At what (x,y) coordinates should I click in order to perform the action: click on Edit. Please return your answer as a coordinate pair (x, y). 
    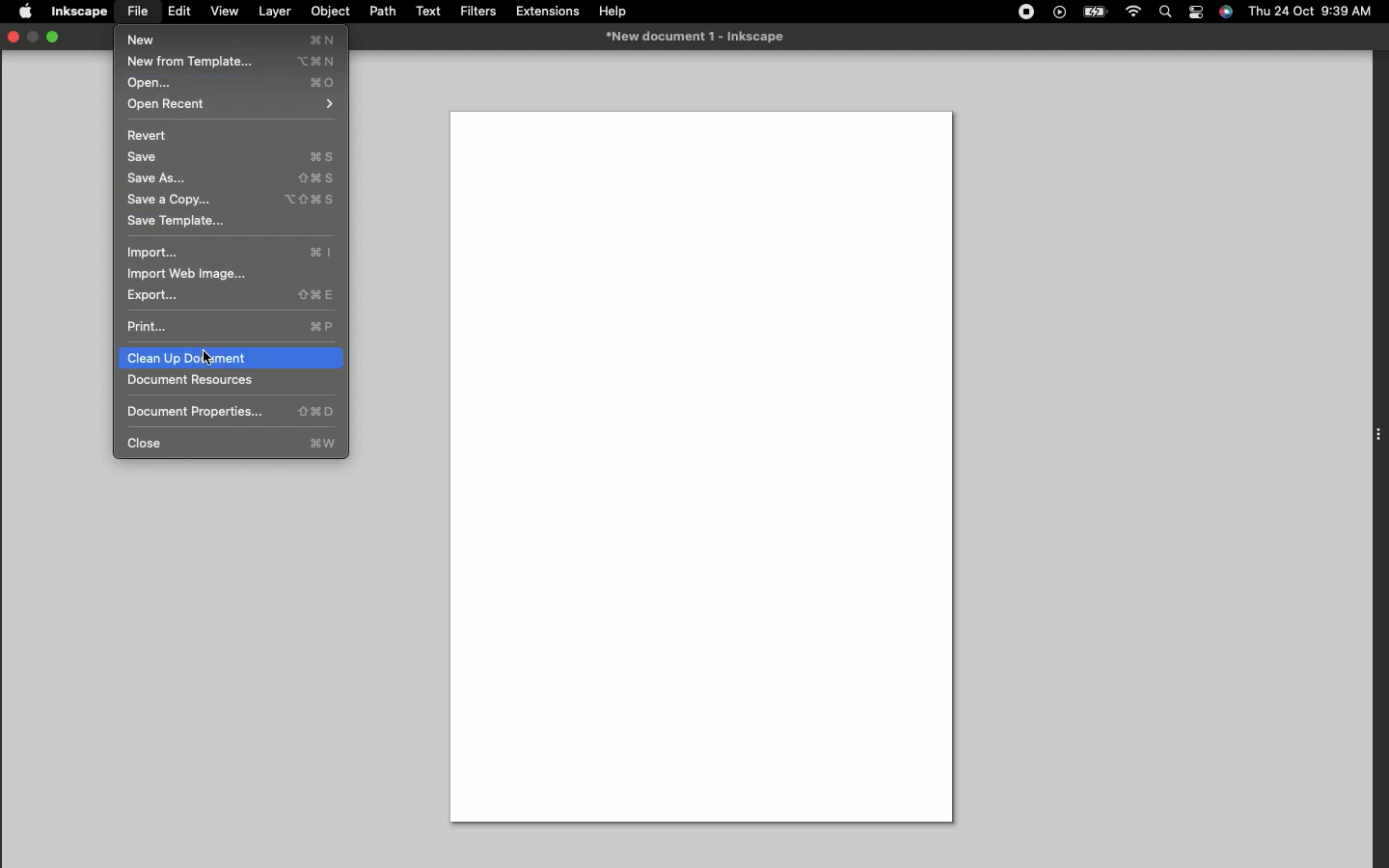
    Looking at the image, I should click on (177, 12).